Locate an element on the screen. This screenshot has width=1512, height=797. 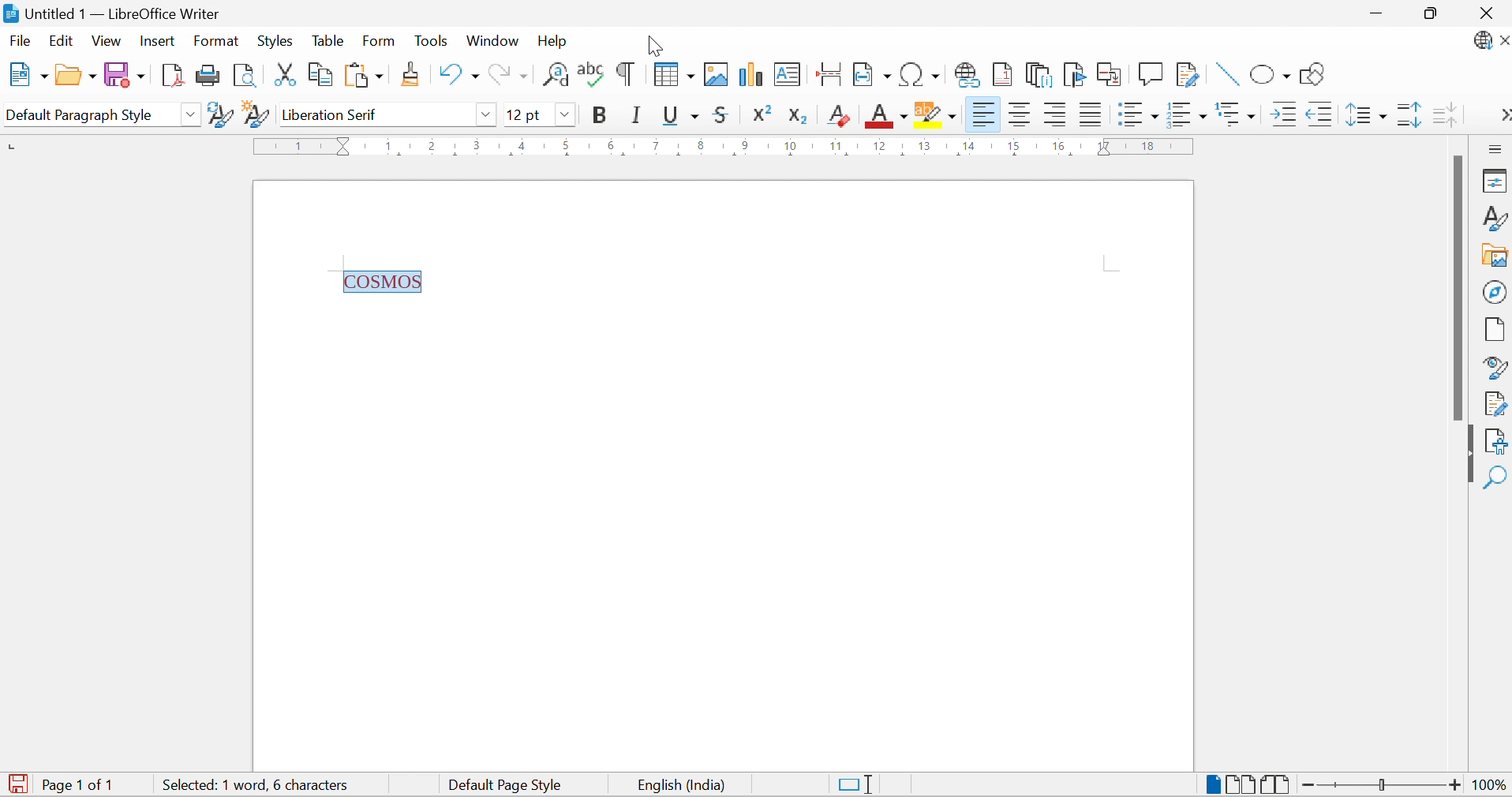
Select Outline Format is located at coordinates (1236, 112).